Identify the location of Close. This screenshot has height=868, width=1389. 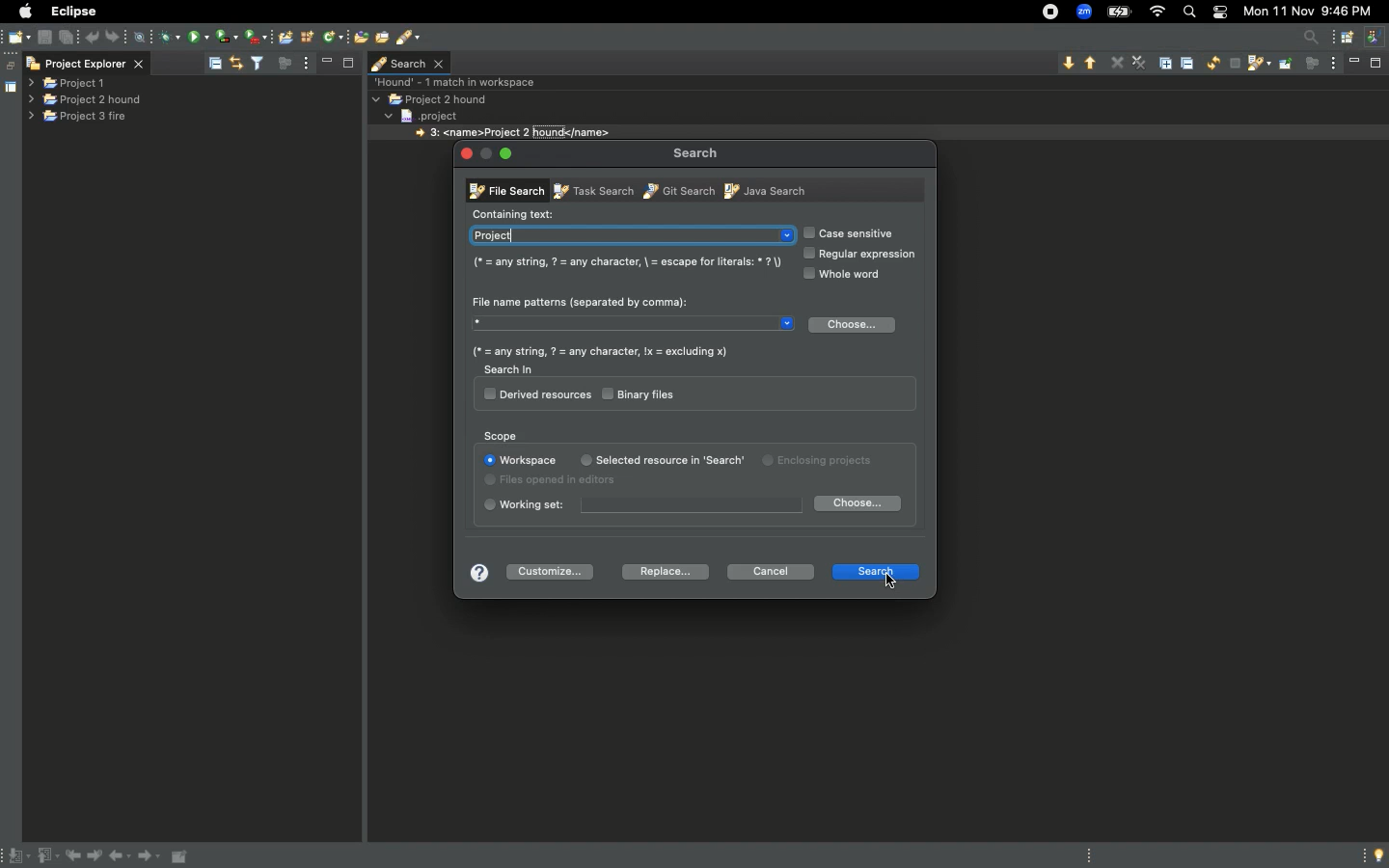
(465, 151).